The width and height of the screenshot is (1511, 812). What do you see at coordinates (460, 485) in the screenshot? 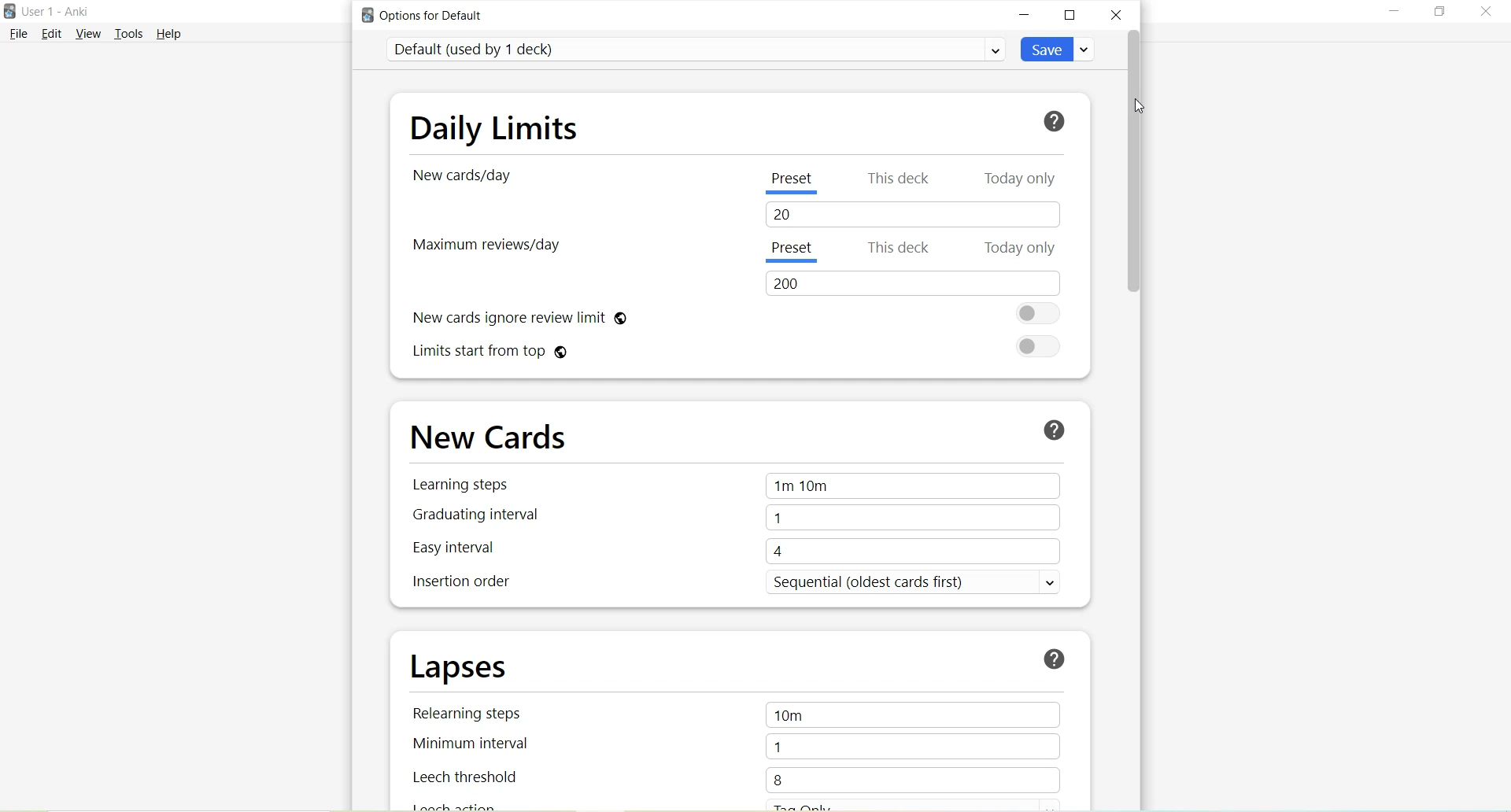
I see `Learning steps` at bounding box center [460, 485].